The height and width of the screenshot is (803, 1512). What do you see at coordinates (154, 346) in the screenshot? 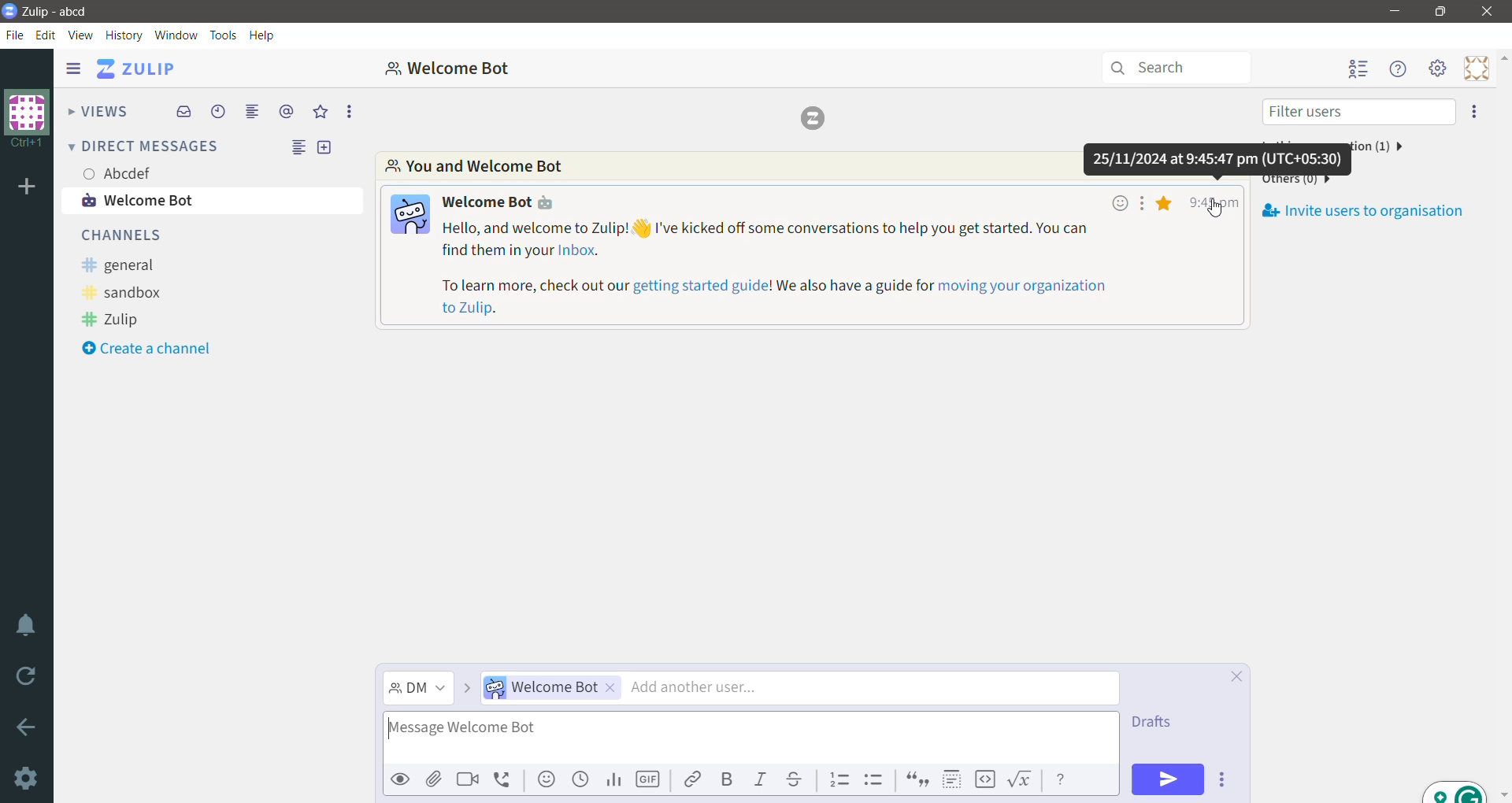
I see `Create a Channel` at bounding box center [154, 346].